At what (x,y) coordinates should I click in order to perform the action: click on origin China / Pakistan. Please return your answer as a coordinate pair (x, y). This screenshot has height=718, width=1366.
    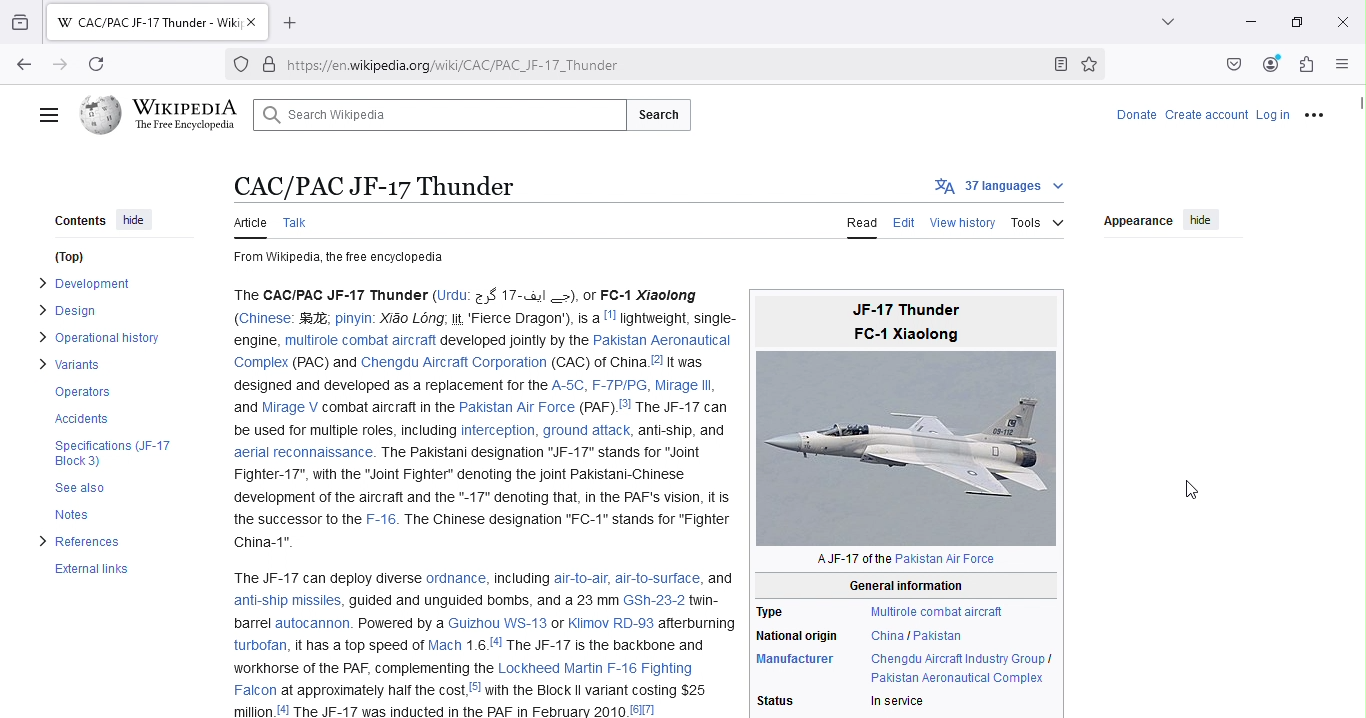
    Looking at the image, I should click on (914, 635).